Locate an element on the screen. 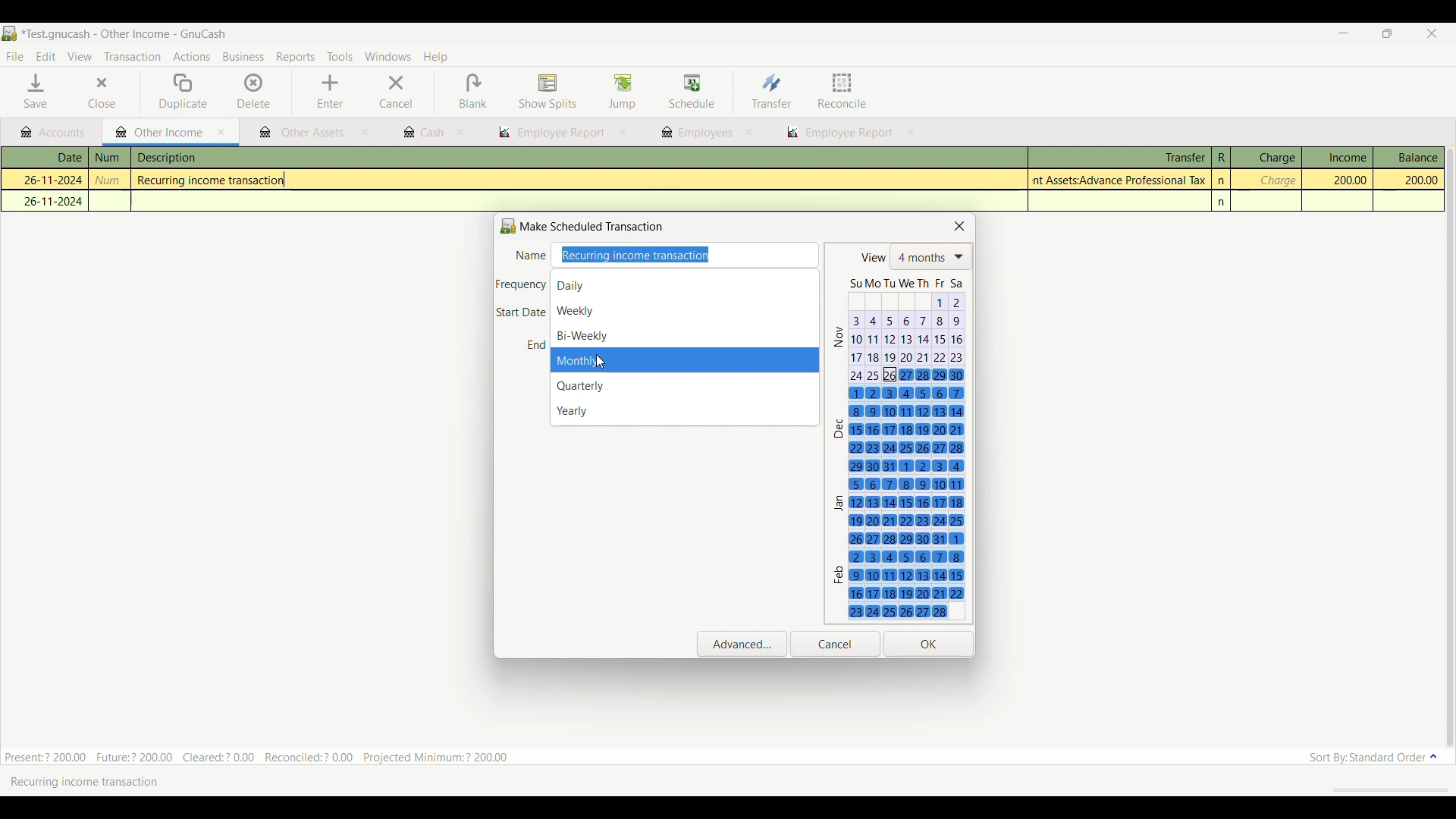 The image size is (1456, 819). Enter is located at coordinates (330, 92).